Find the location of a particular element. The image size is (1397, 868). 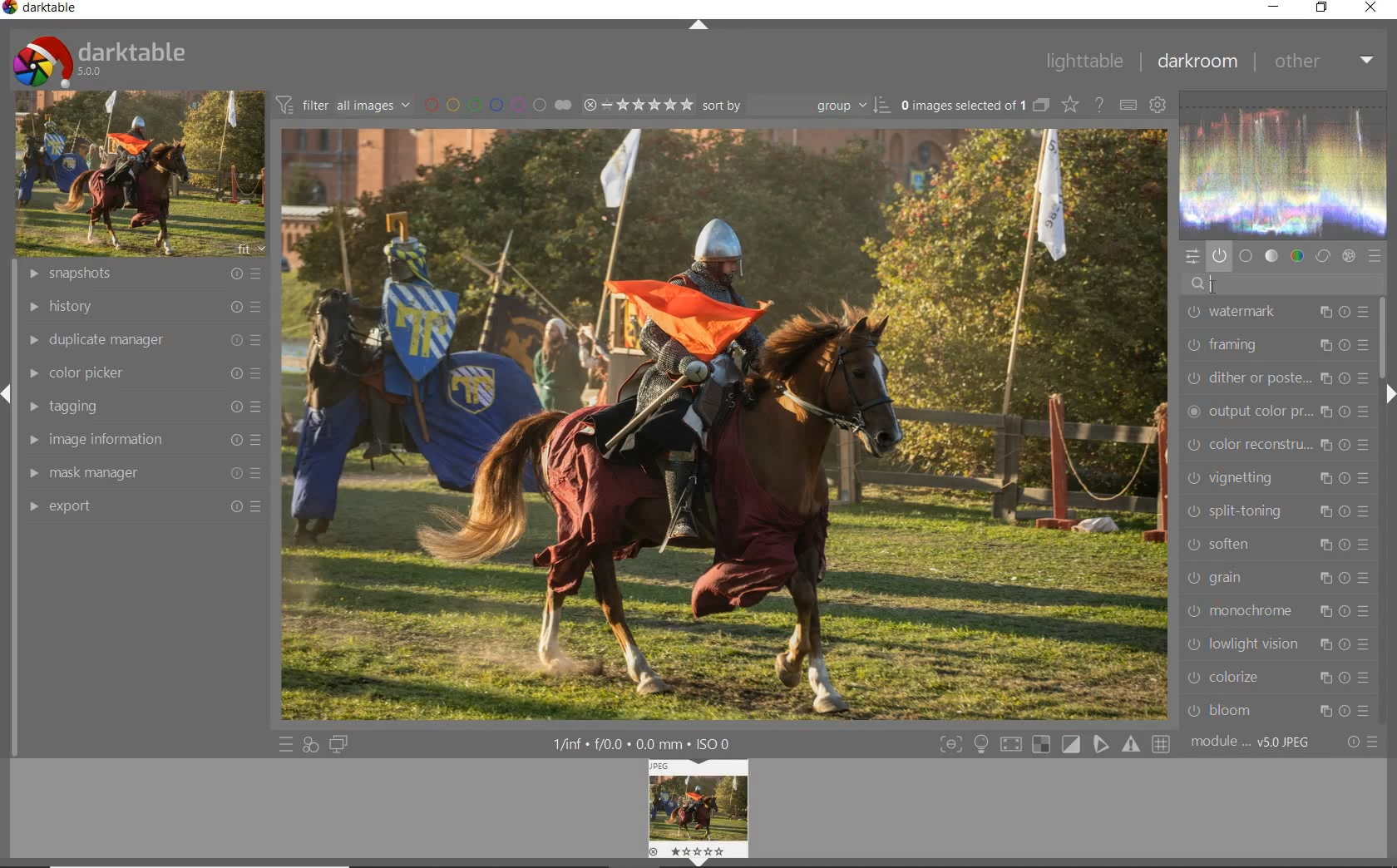

Sort is located at coordinates (796, 104).